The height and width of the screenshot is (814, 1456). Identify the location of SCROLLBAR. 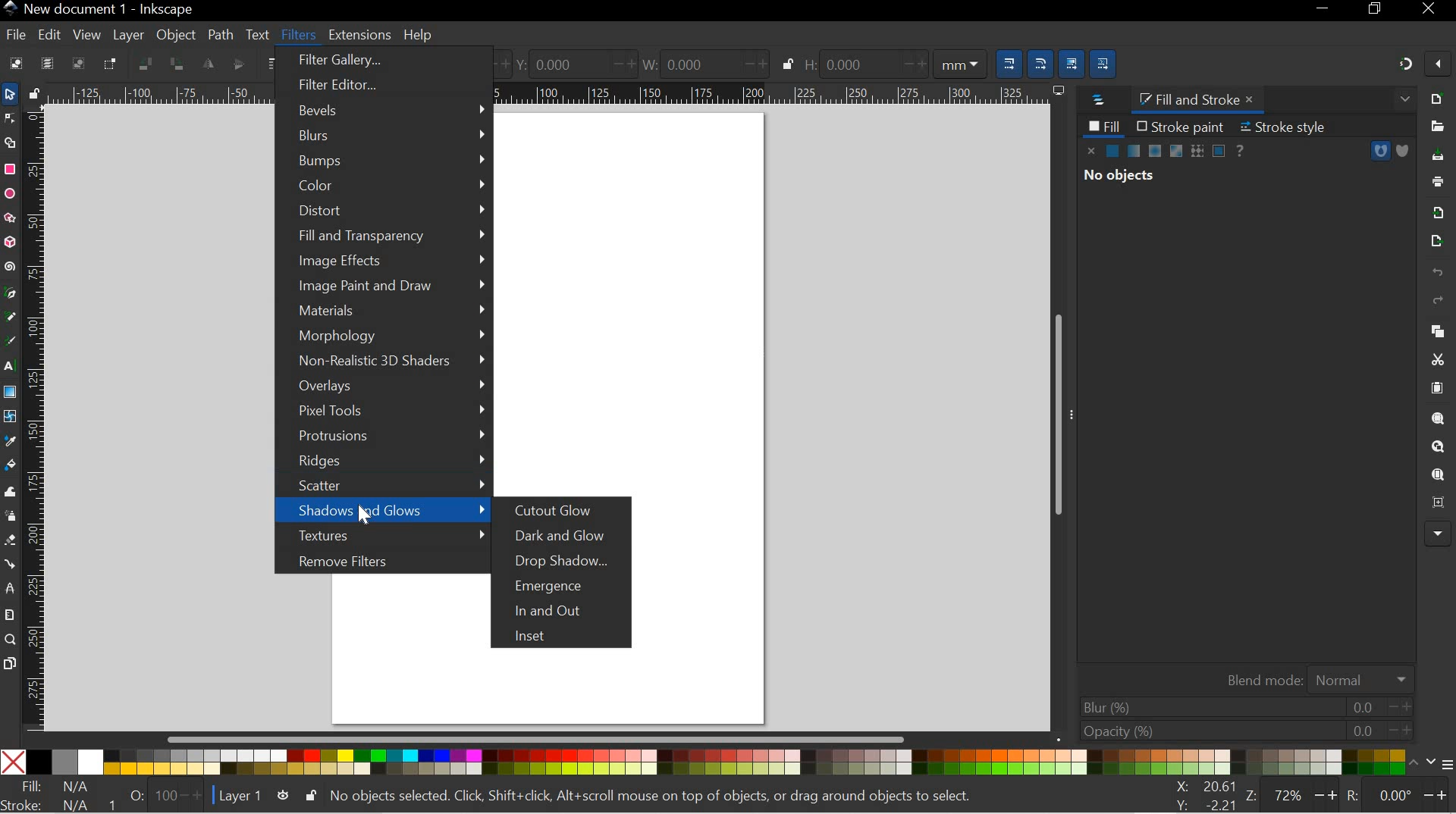
(543, 740).